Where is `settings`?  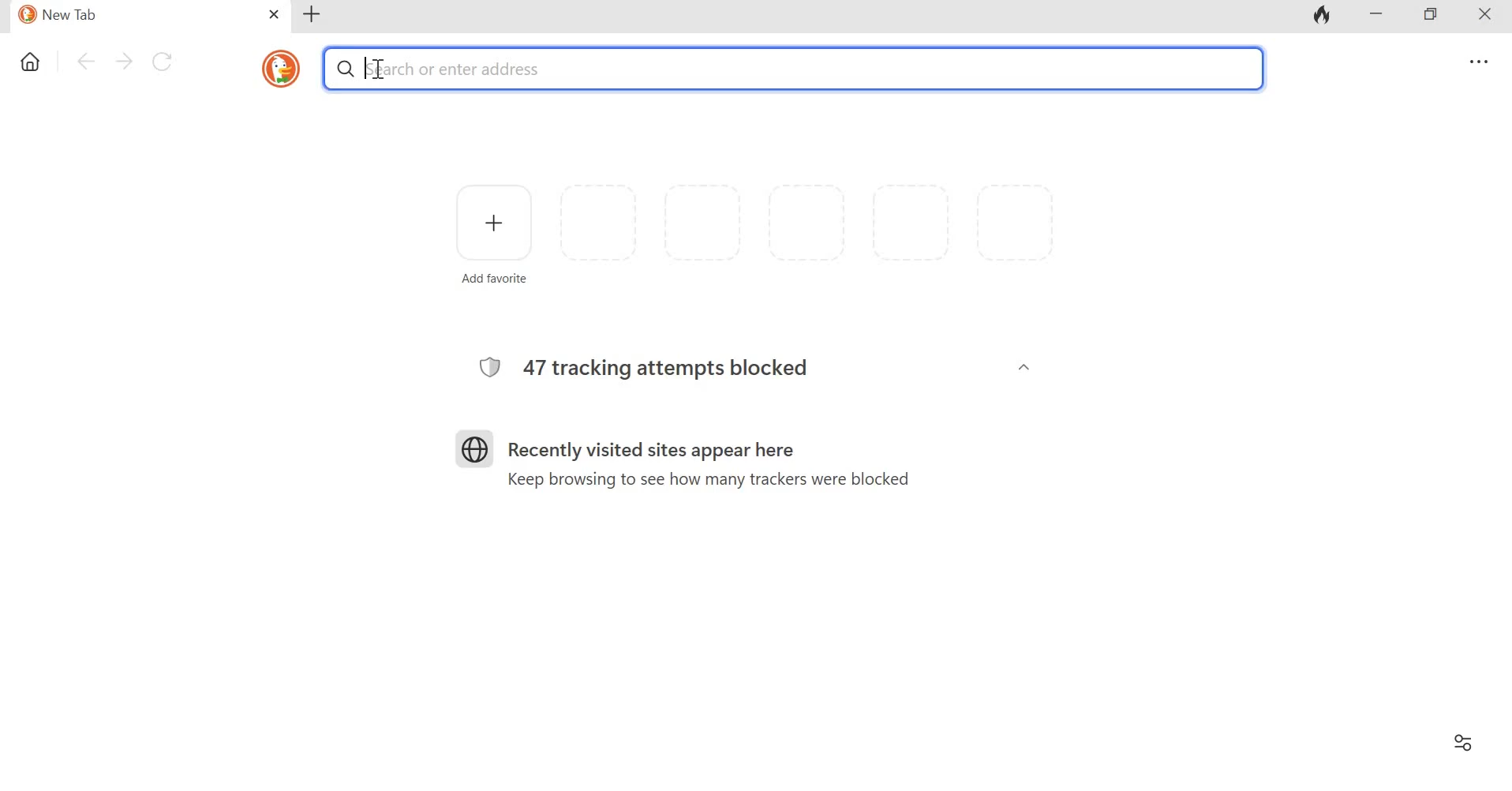 settings is located at coordinates (1476, 62).